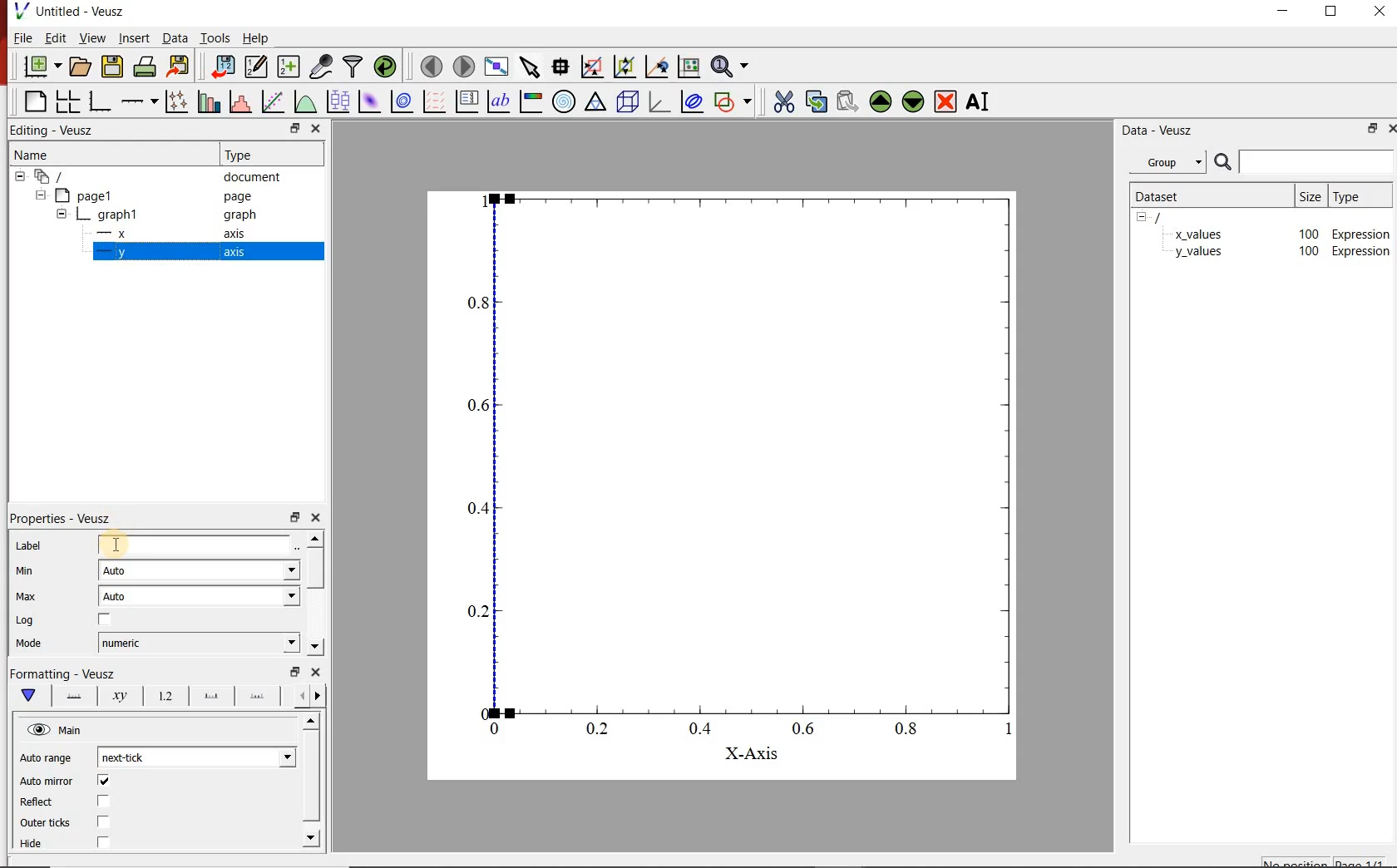 This screenshot has height=868, width=1397. Describe the element at coordinates (113, 66) in the screenshot. I see `save` at that location.